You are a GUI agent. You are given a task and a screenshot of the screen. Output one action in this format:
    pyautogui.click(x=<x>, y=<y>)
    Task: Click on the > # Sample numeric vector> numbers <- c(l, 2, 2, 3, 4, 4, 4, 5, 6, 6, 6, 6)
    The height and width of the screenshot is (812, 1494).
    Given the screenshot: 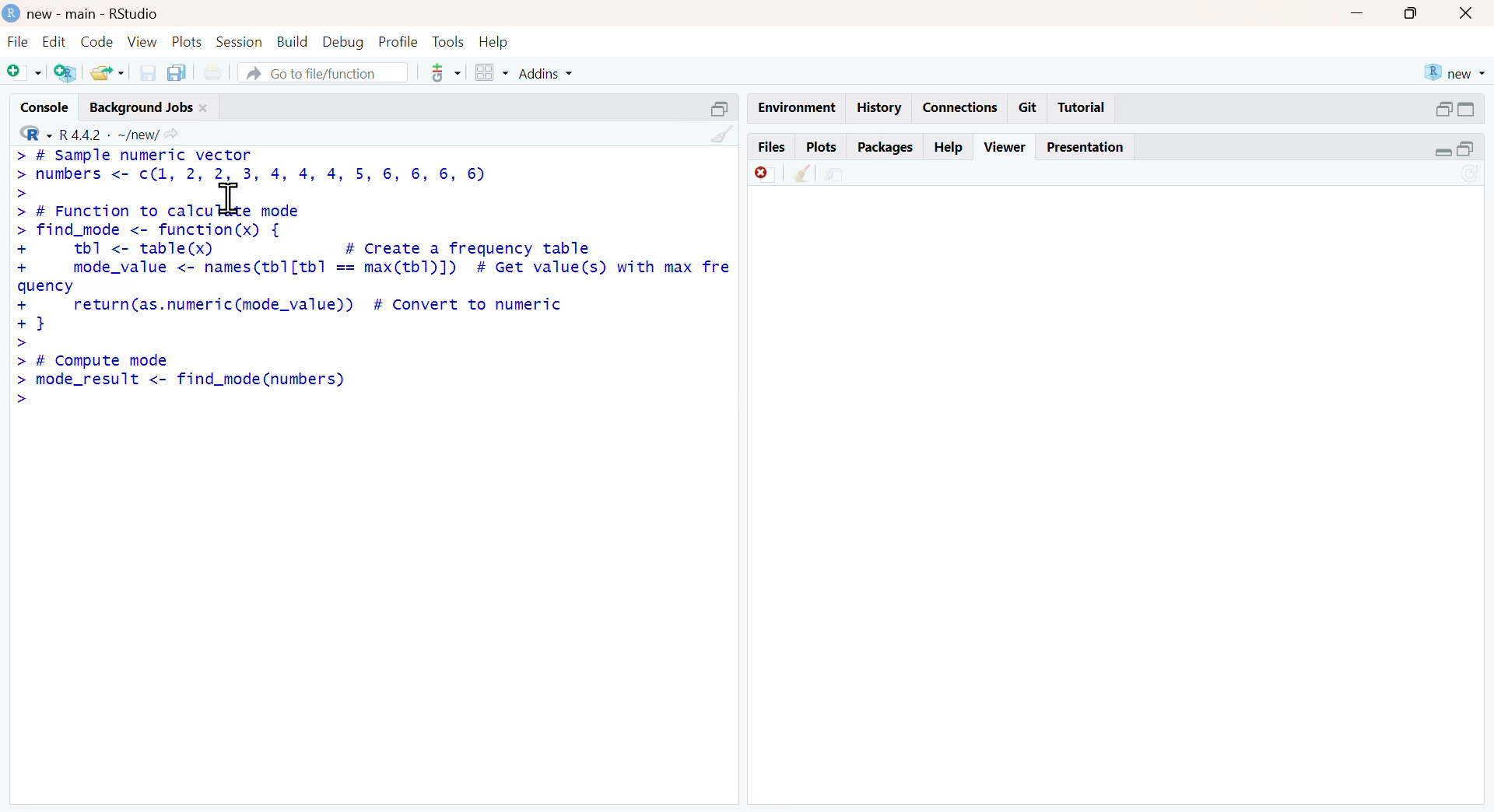 What is the action you would take?
    pyautogui.click(x=251, y=173)
    